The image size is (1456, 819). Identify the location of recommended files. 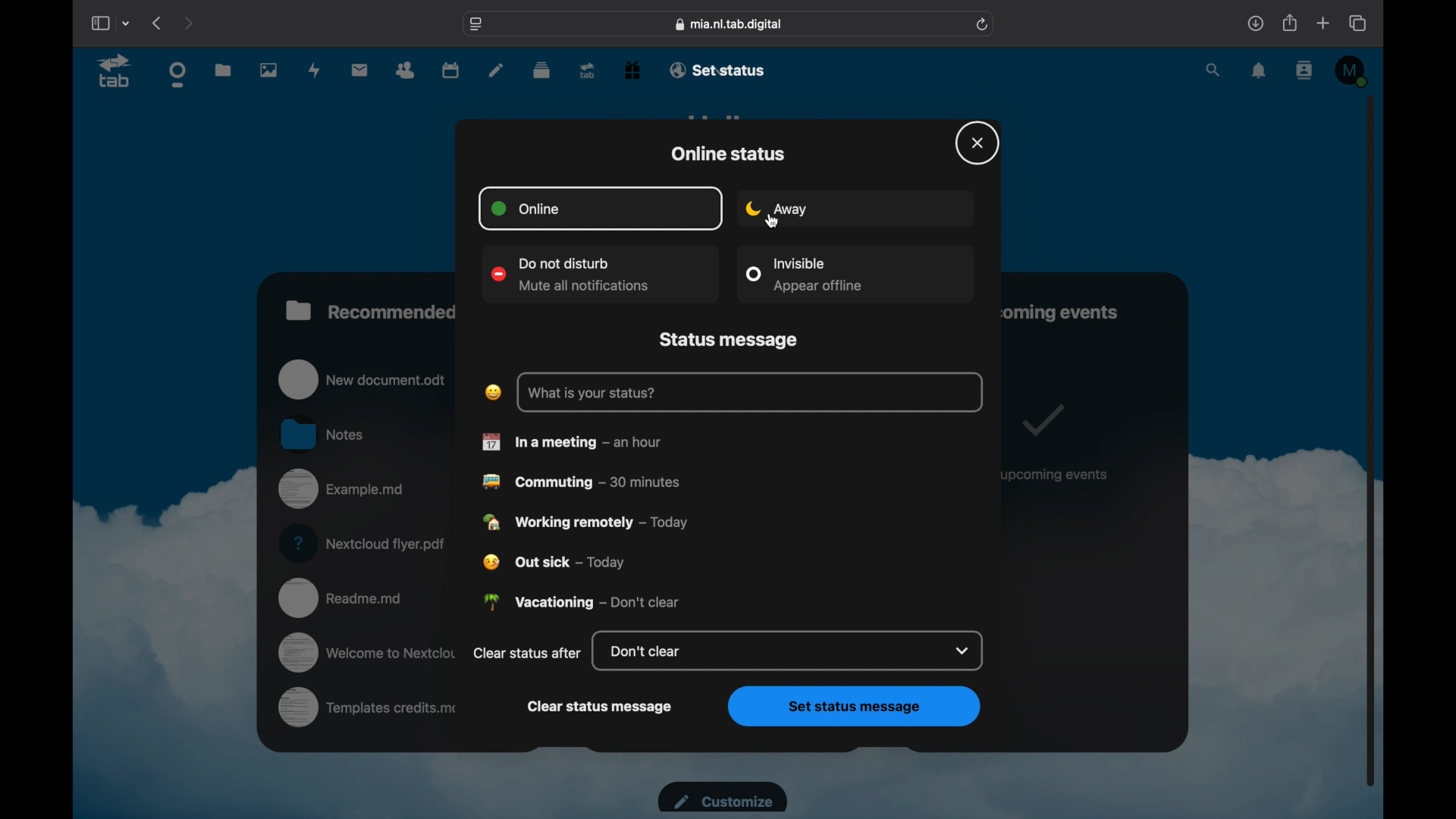
(372, 310).